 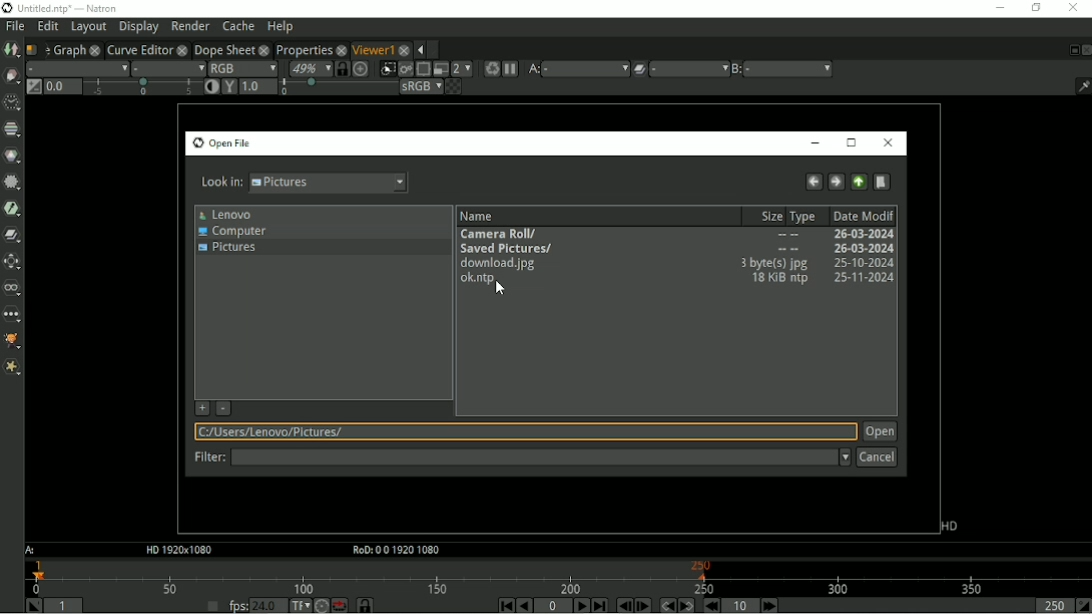 What do you see at coordinates (998, 7) in the screenshot?
I see `Minimize` at bounding box center [998, 7].